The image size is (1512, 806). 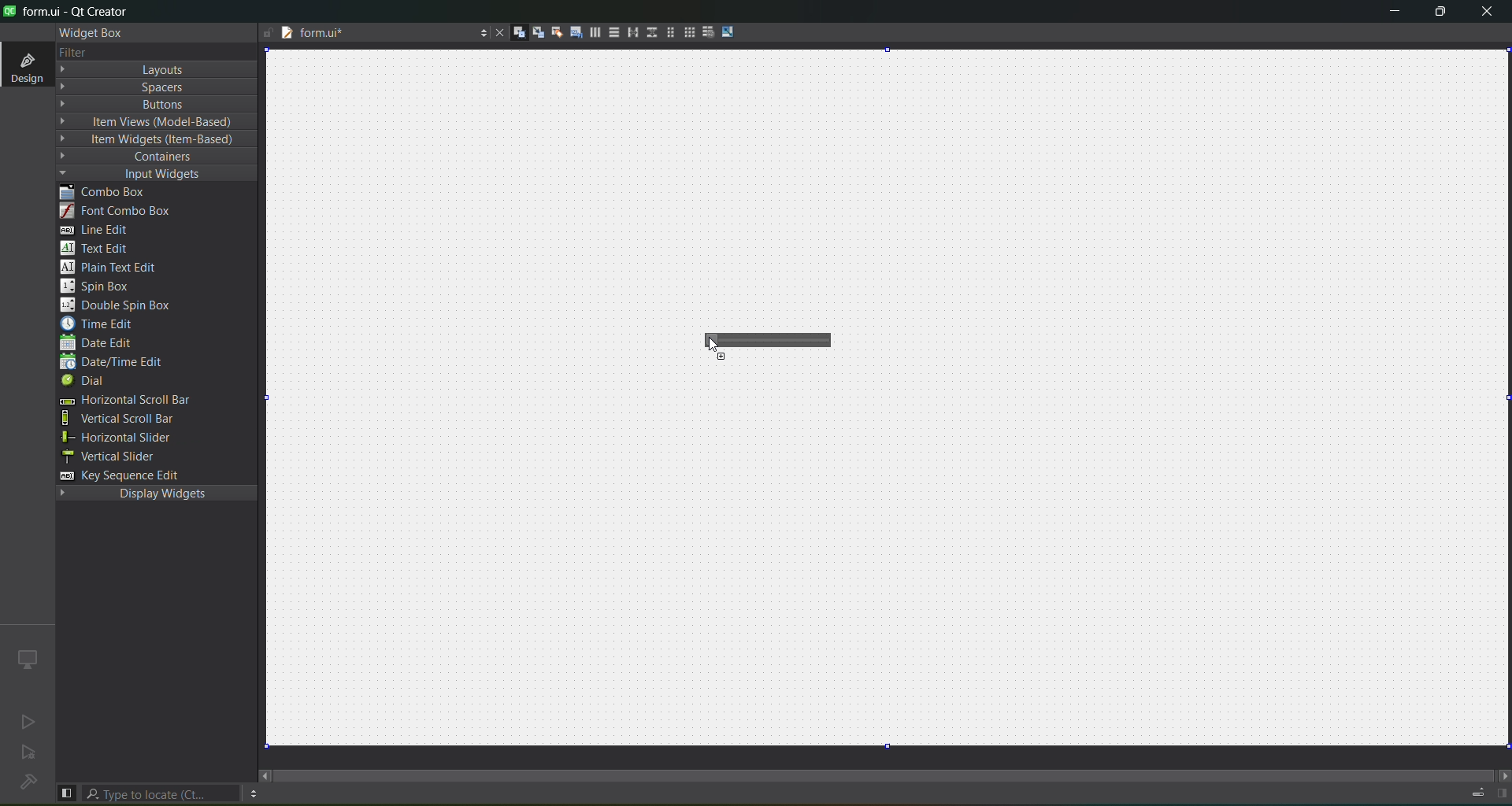 What do you see at coordinates (732, 31) in the screenshot?
I see `adjust size` at bounding box center [732, 31].